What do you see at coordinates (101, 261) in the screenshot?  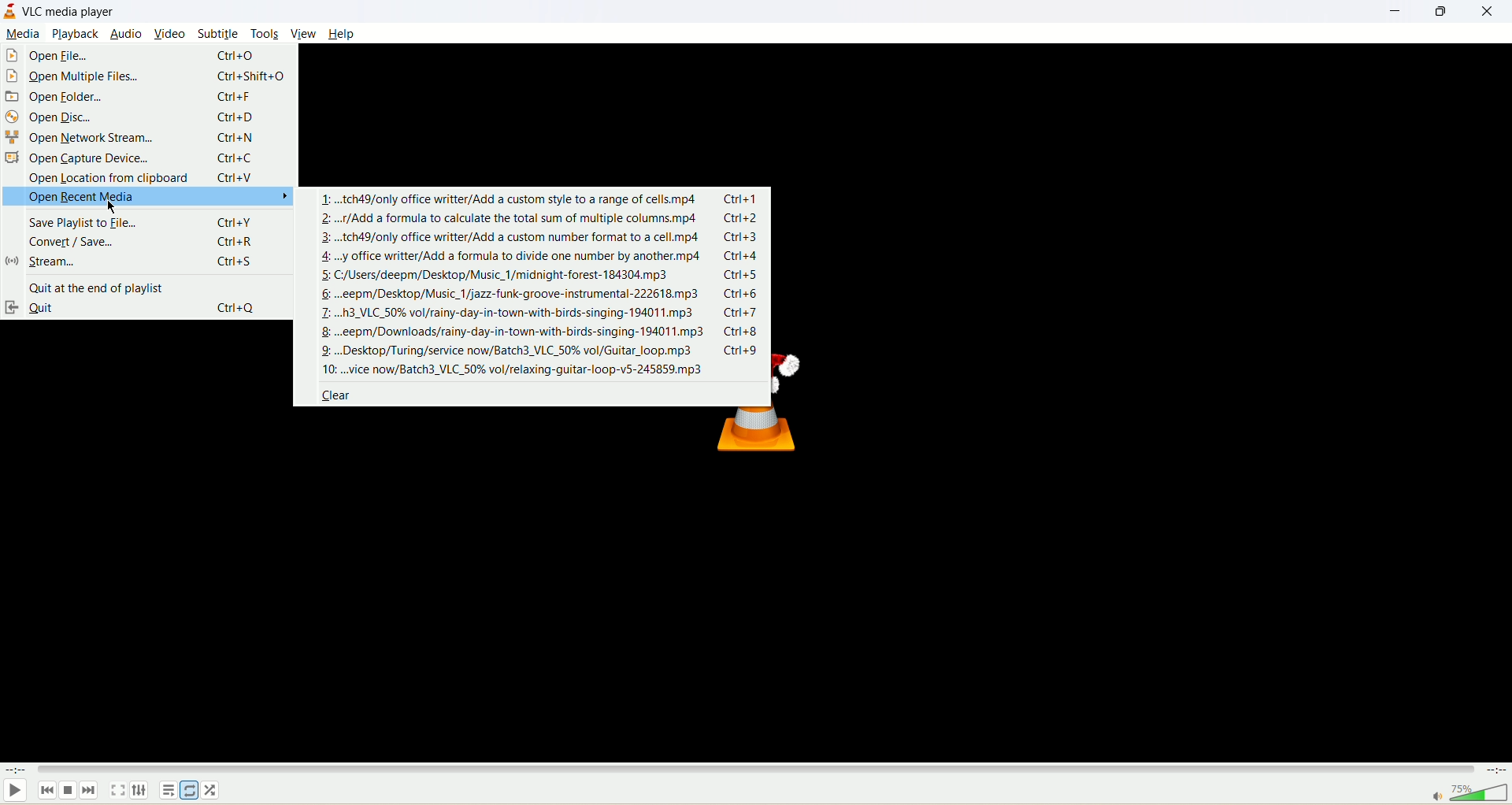 I see `stream...` at bounding box center [101, 261].